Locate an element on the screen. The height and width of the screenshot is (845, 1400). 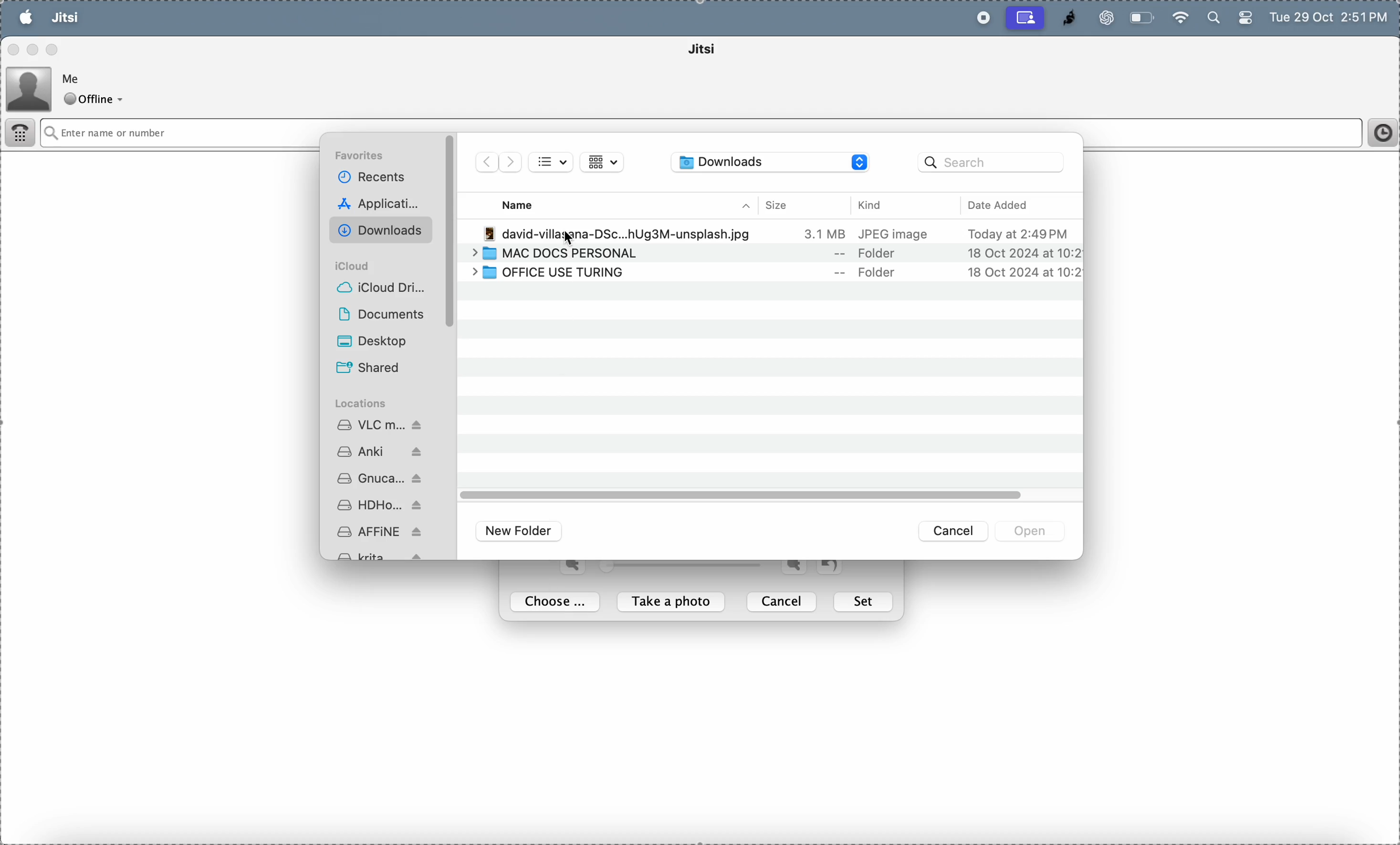
jitsi is located at coordinates (1064, 18).